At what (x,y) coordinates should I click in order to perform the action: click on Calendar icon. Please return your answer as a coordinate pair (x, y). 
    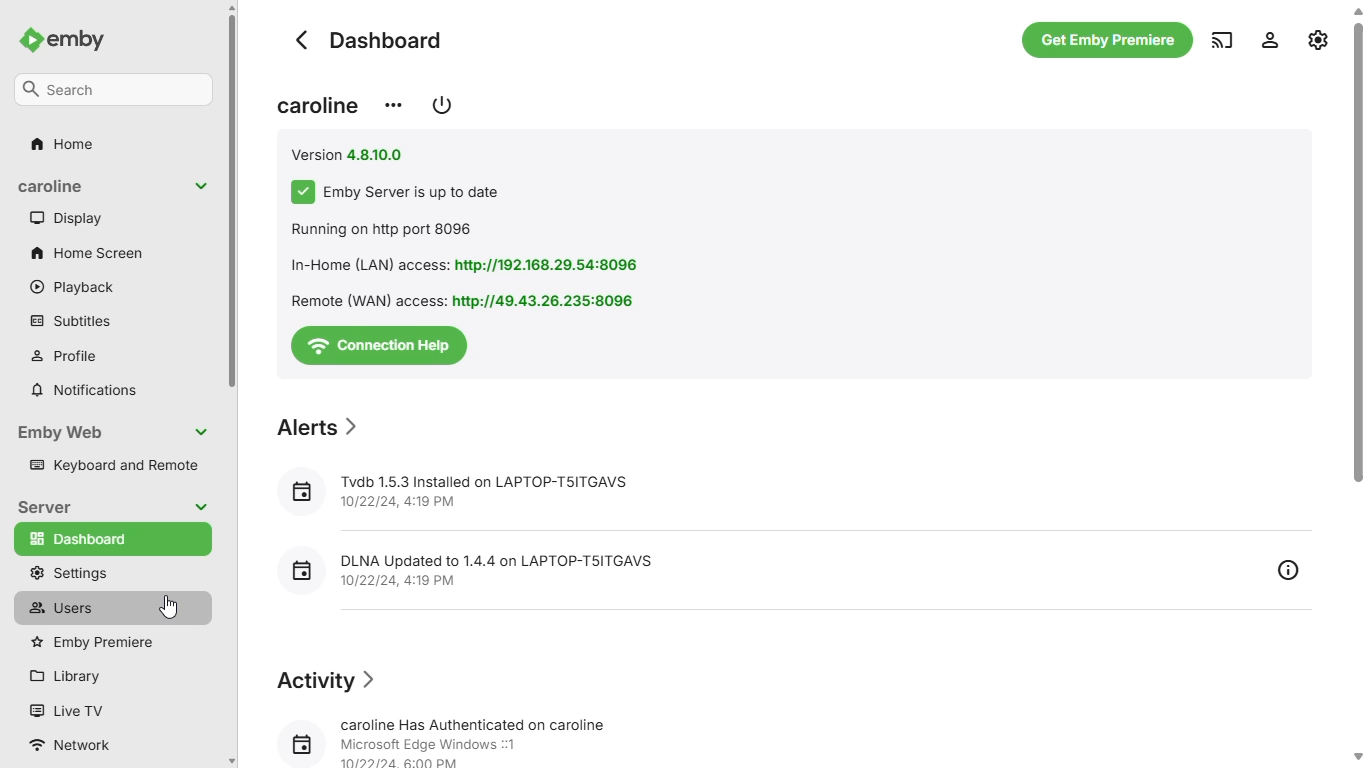
    Looking at the image, I should click on (302, 741).